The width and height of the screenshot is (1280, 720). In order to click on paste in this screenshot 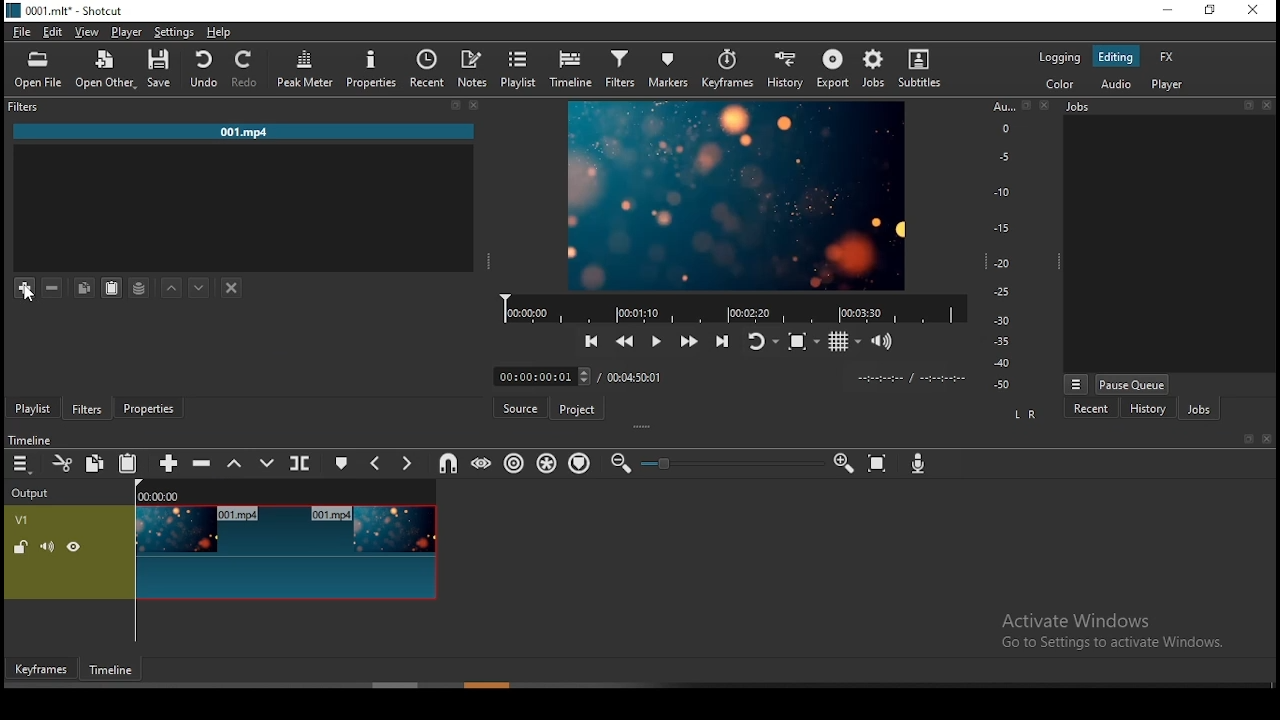, I will do `click(127, 464)`.